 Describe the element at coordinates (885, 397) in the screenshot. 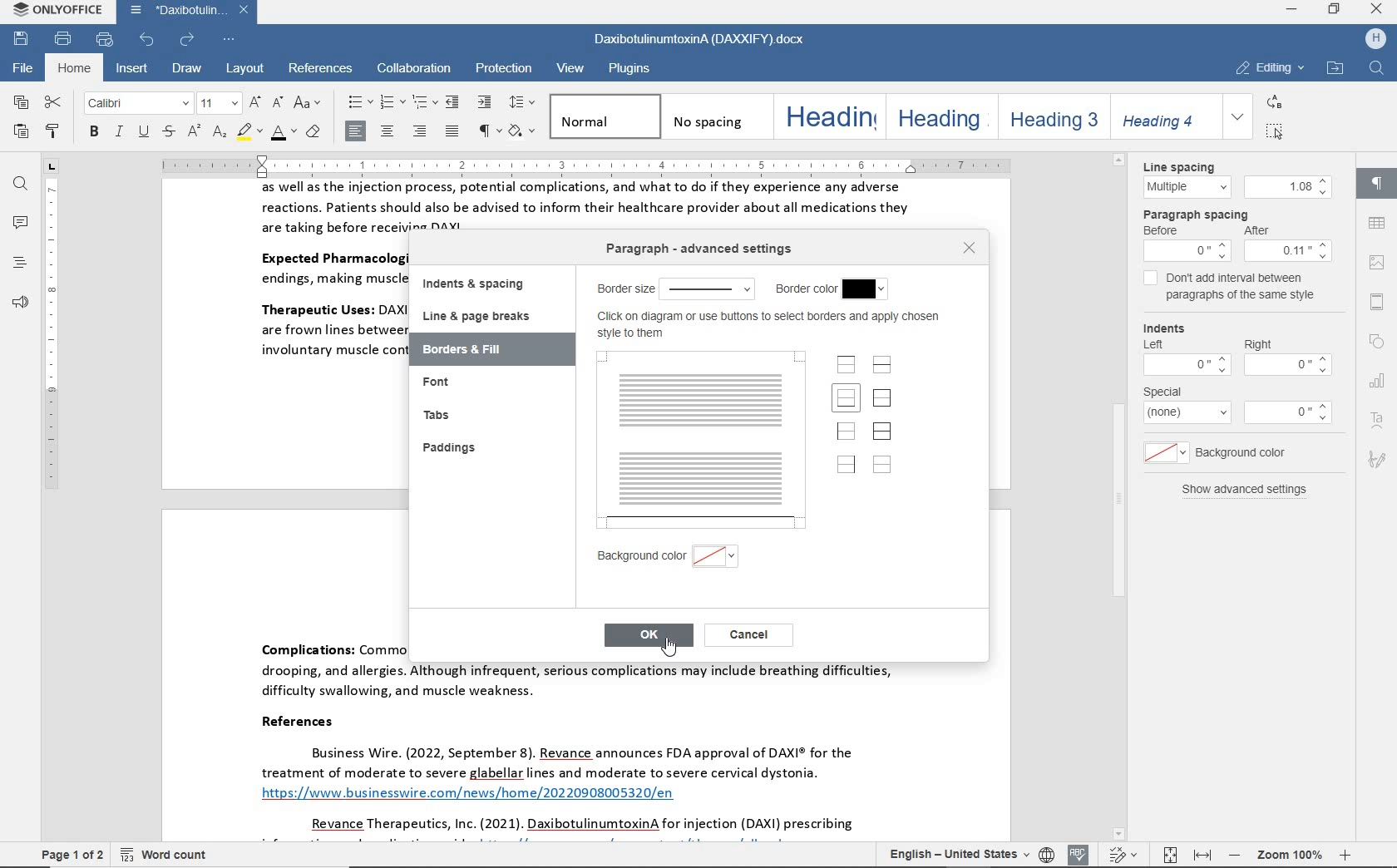

I see `set outer border only` at that location.